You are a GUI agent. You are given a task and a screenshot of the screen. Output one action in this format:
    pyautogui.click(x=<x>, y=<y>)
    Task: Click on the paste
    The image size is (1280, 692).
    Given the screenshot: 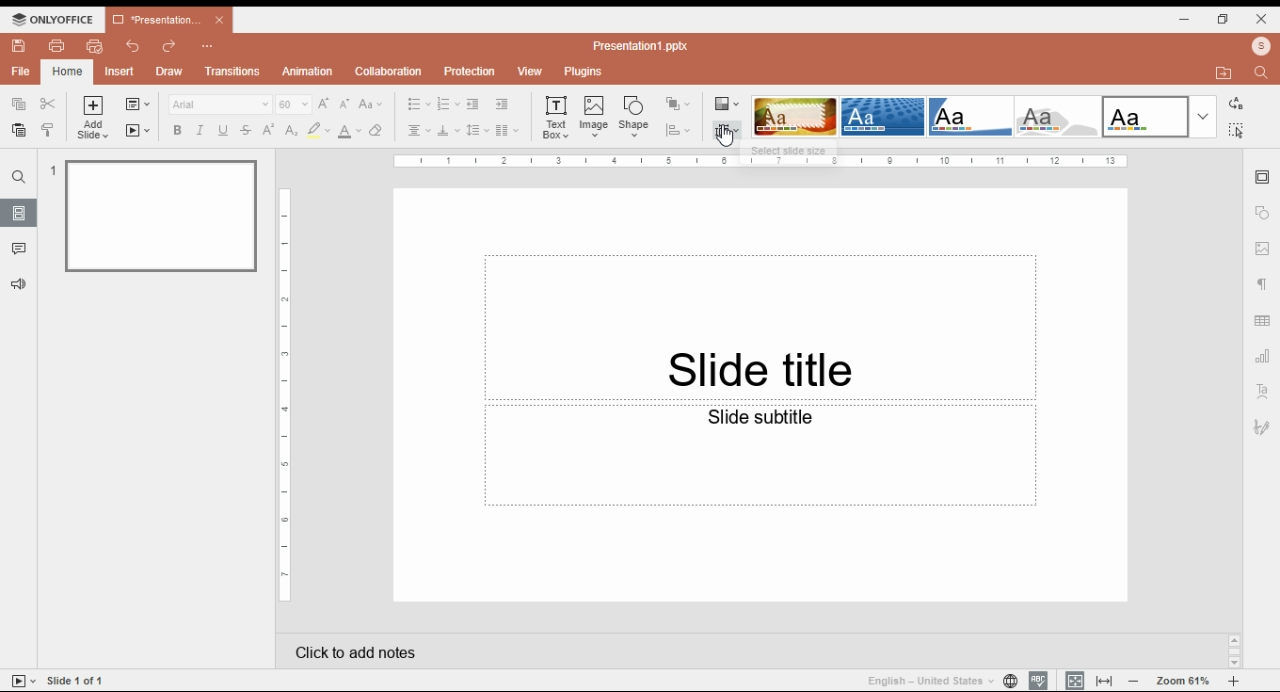 What is the action you would take?
    pyautogui.click(x=17, y=130)
    